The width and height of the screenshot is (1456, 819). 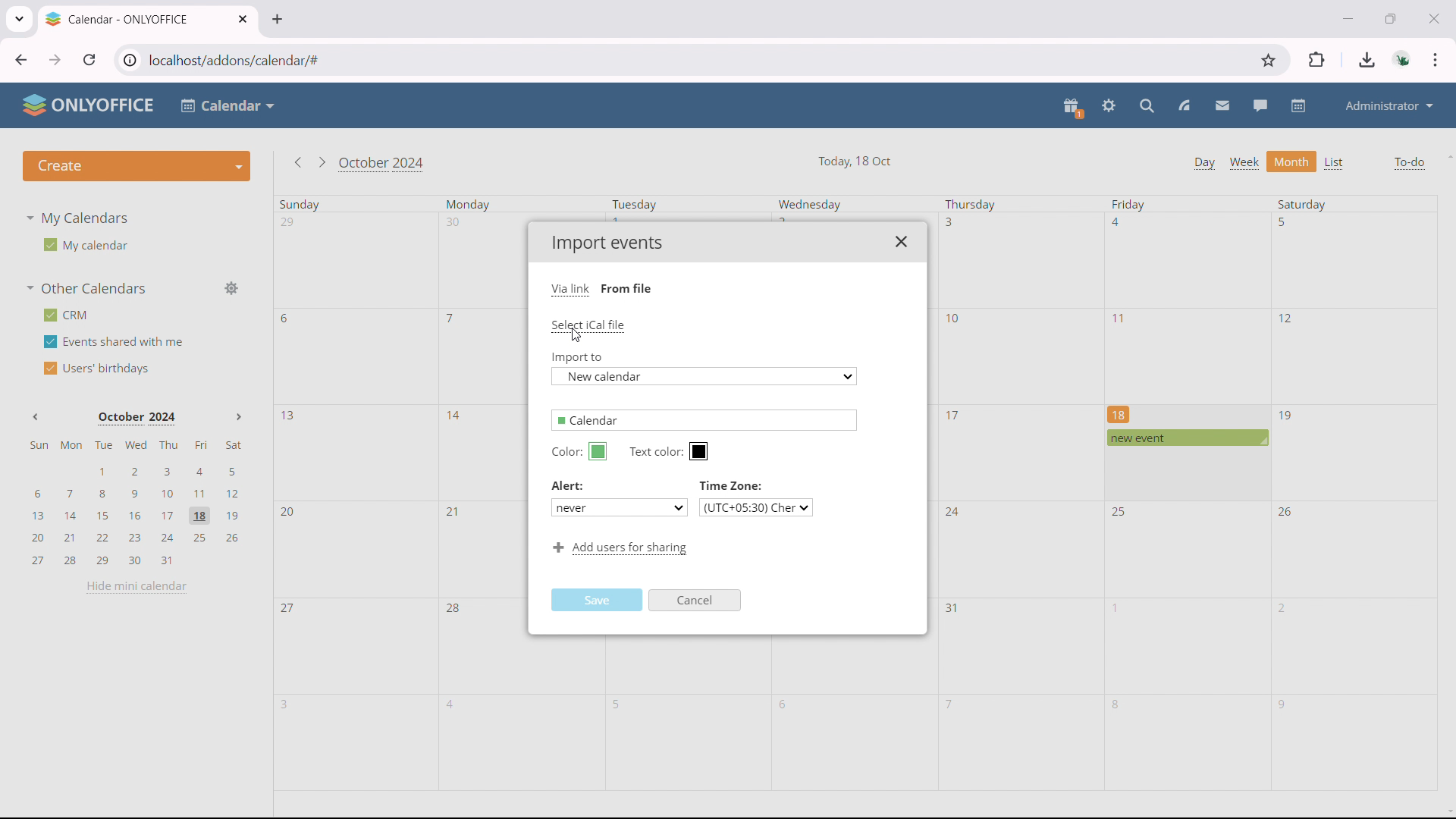 What do you see at coordinates (80, 221) in the screenshot?
I see `My Calendars` at bounding box center [80, 221].